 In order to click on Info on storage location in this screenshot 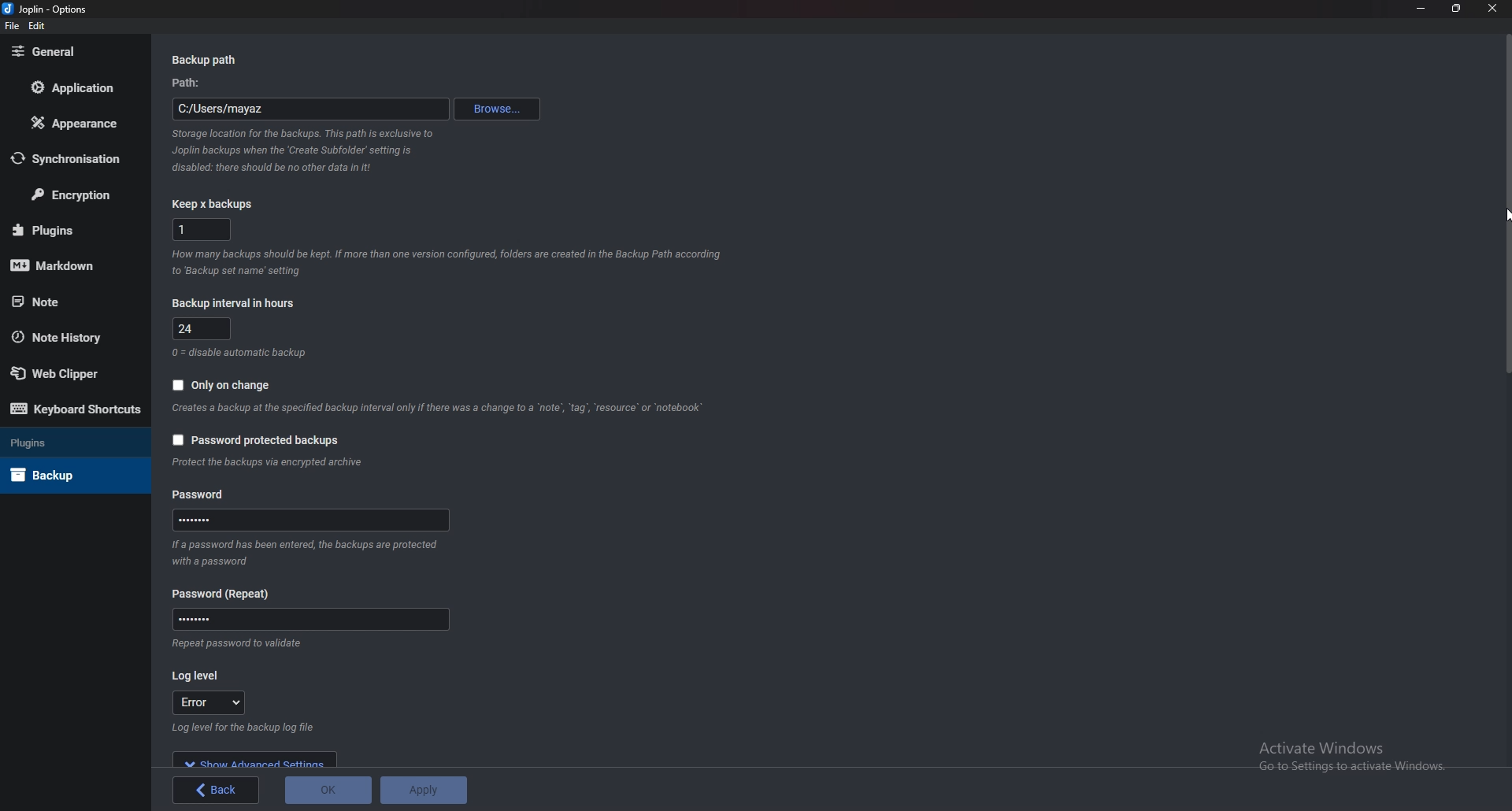, I will do `click(300, 152)`.